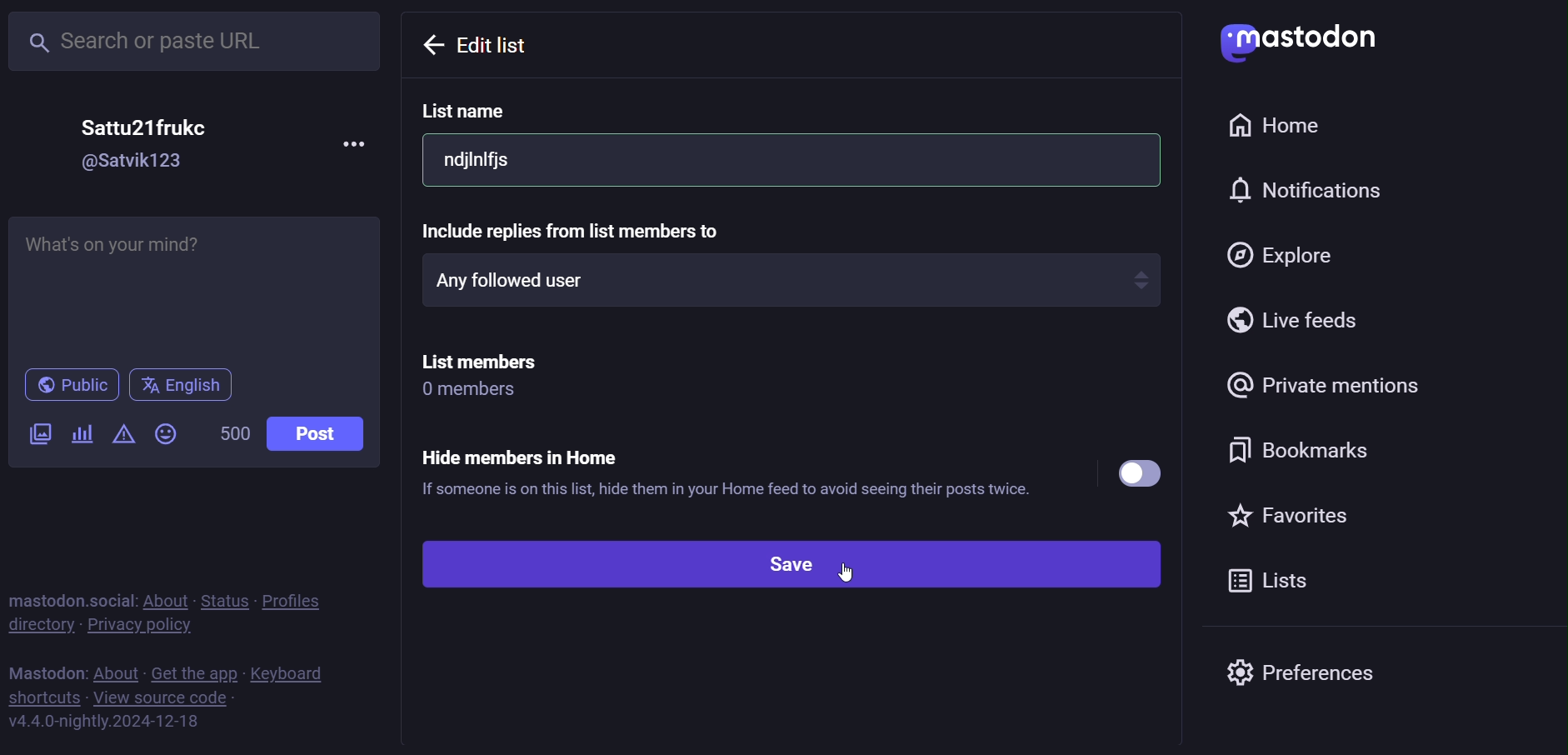 The width and height of the screenshot is (1568, 755). Describe the element at coordinates (1307, 453) in the screenshot. I see `bookmark` at that location.